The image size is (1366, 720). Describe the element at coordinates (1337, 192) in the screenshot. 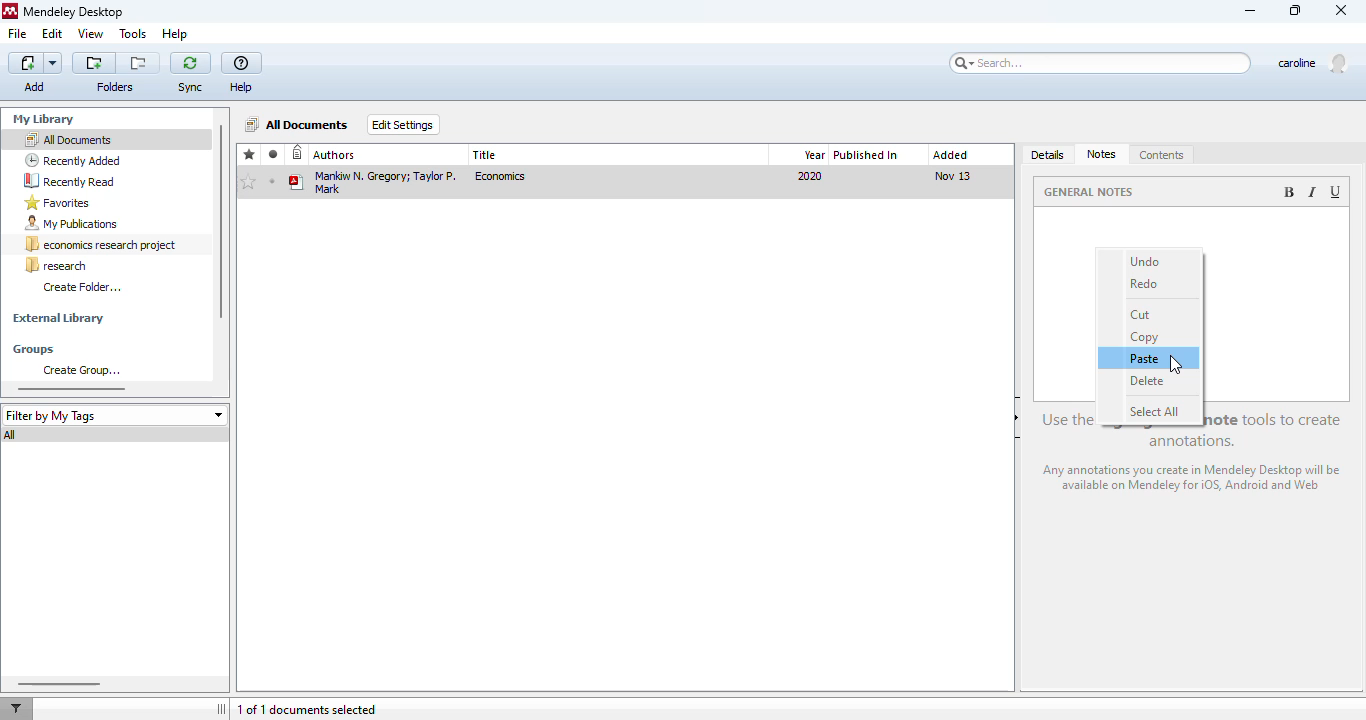

I see `underlined` at that location.